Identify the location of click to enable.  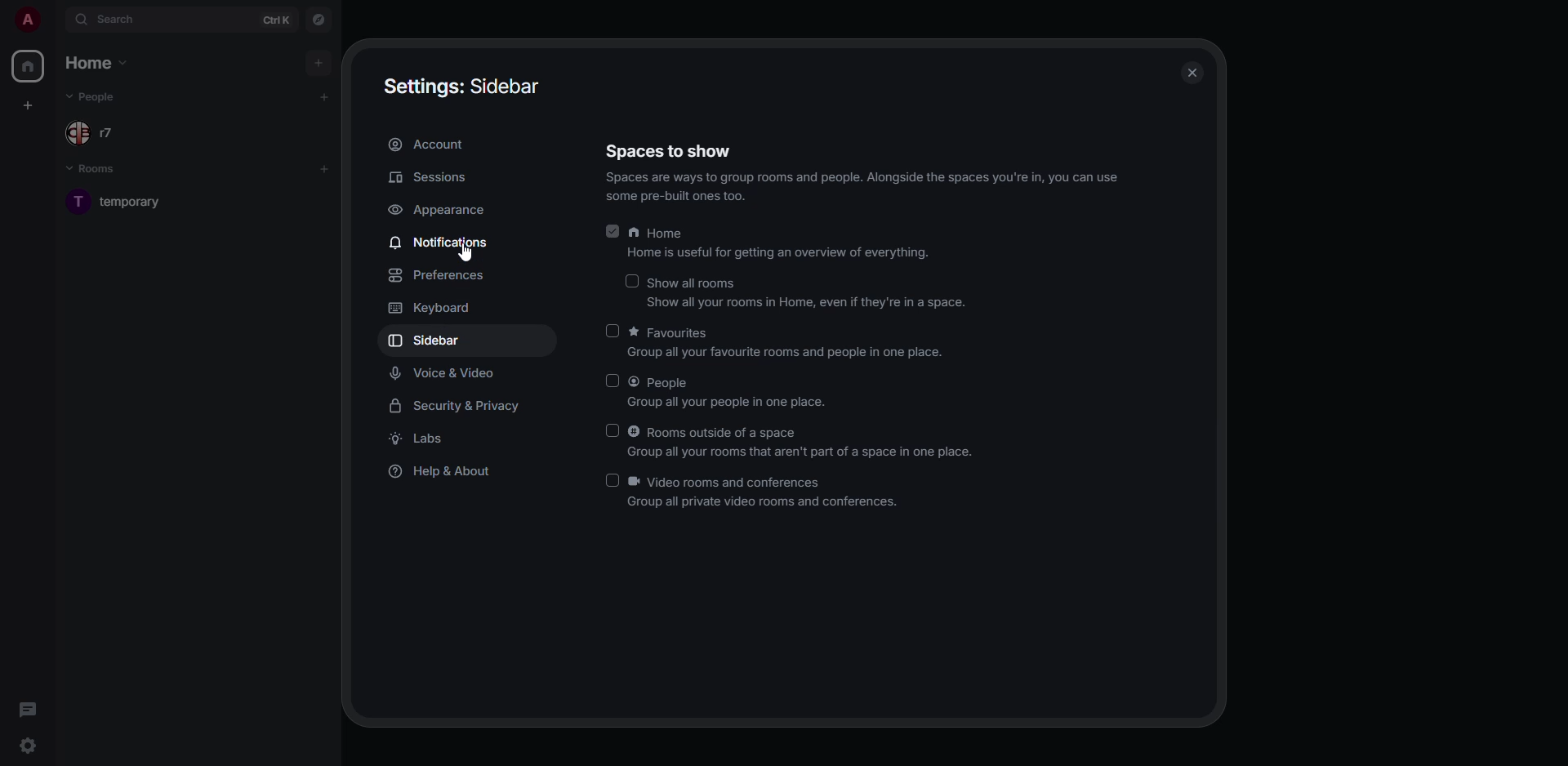
(611, 331).